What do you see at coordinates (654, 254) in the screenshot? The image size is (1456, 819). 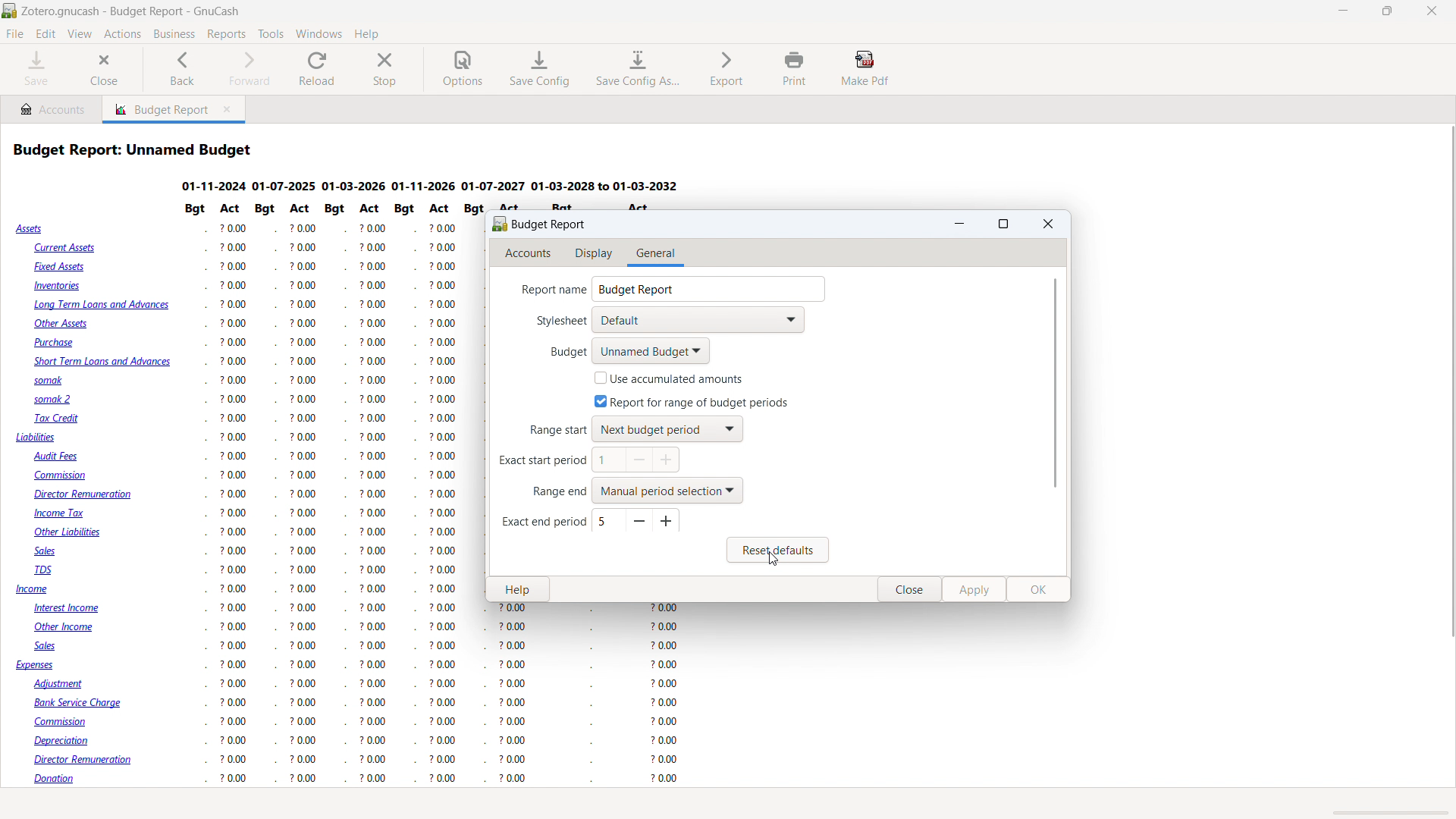 I see `general` at bounding box center [654, 254].